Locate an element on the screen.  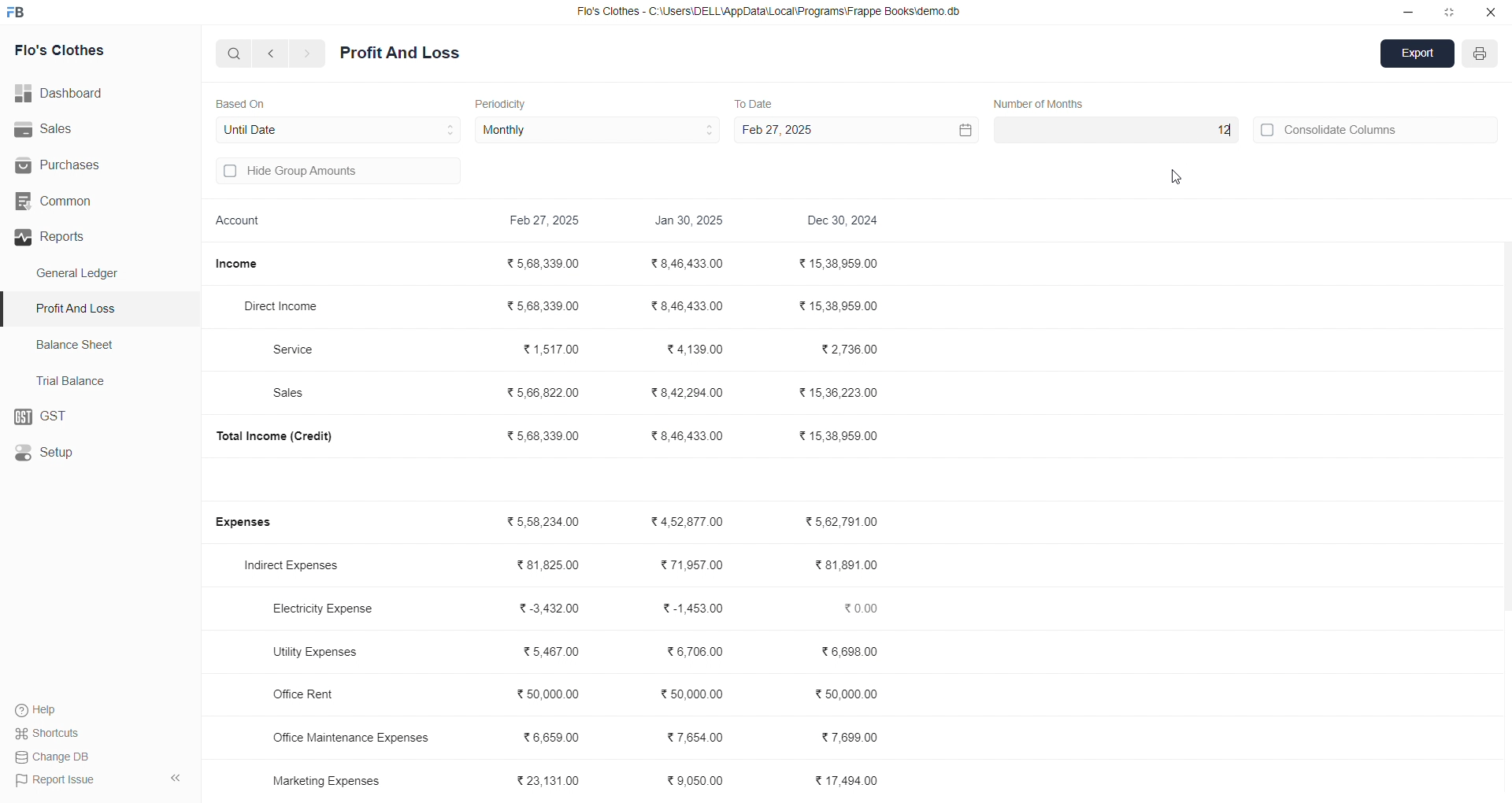
Balance Sheet is located at coordinates (77, 343).